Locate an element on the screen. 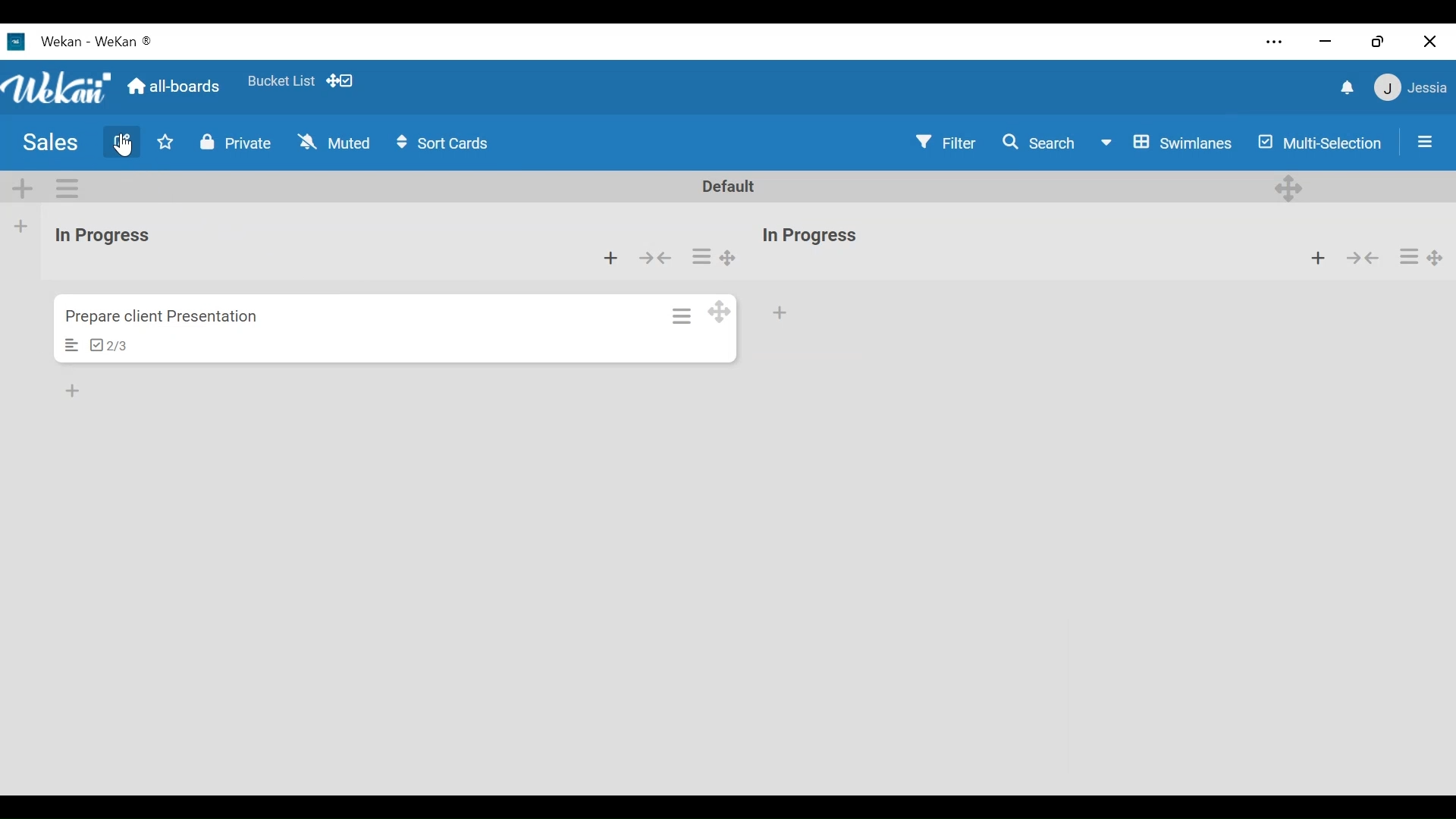 The width and height of the screenshot is (1456, 819). Cursor is located at coordinates (125, 146).